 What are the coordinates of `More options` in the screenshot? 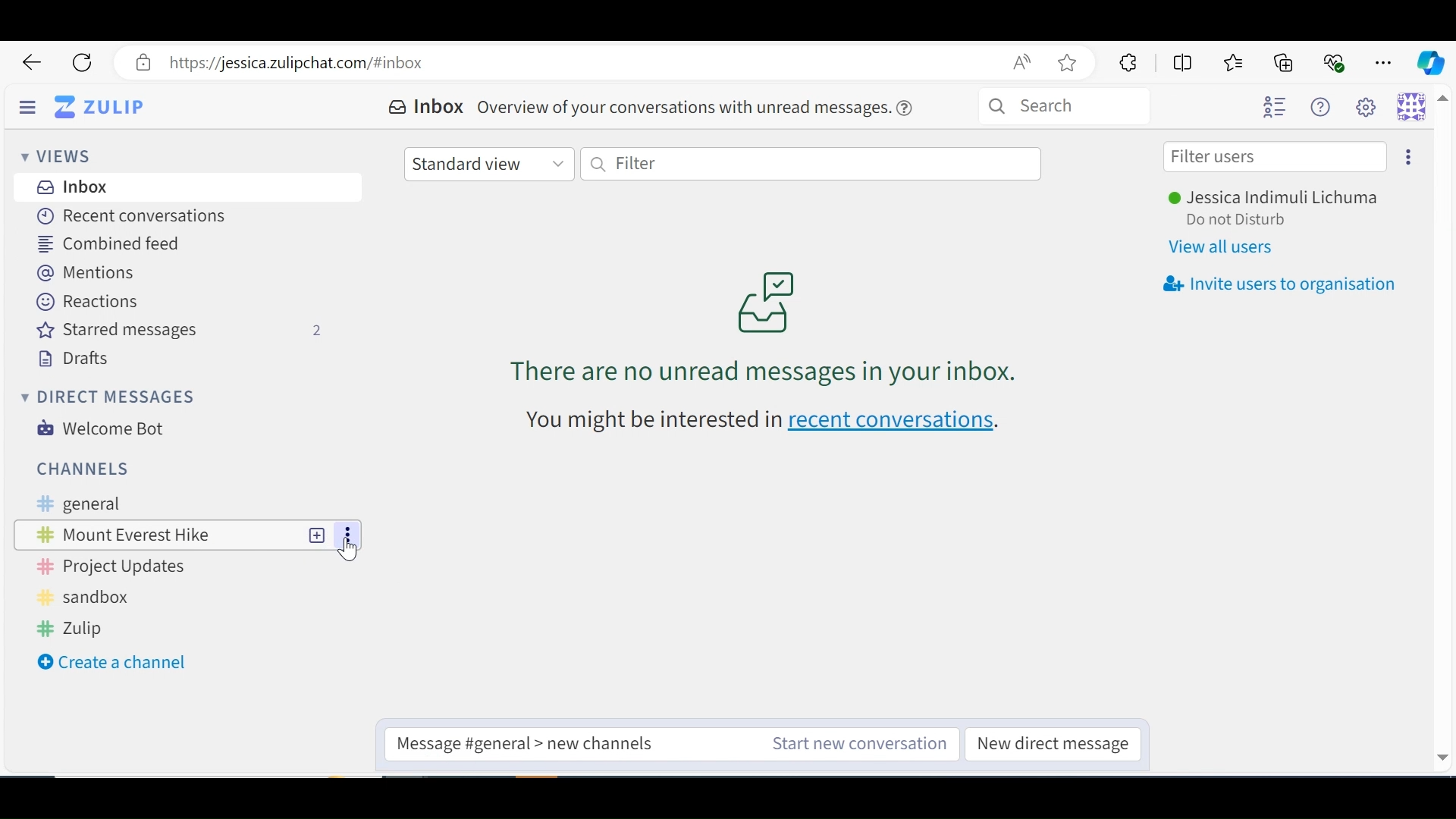 It's located at (1404, 155).